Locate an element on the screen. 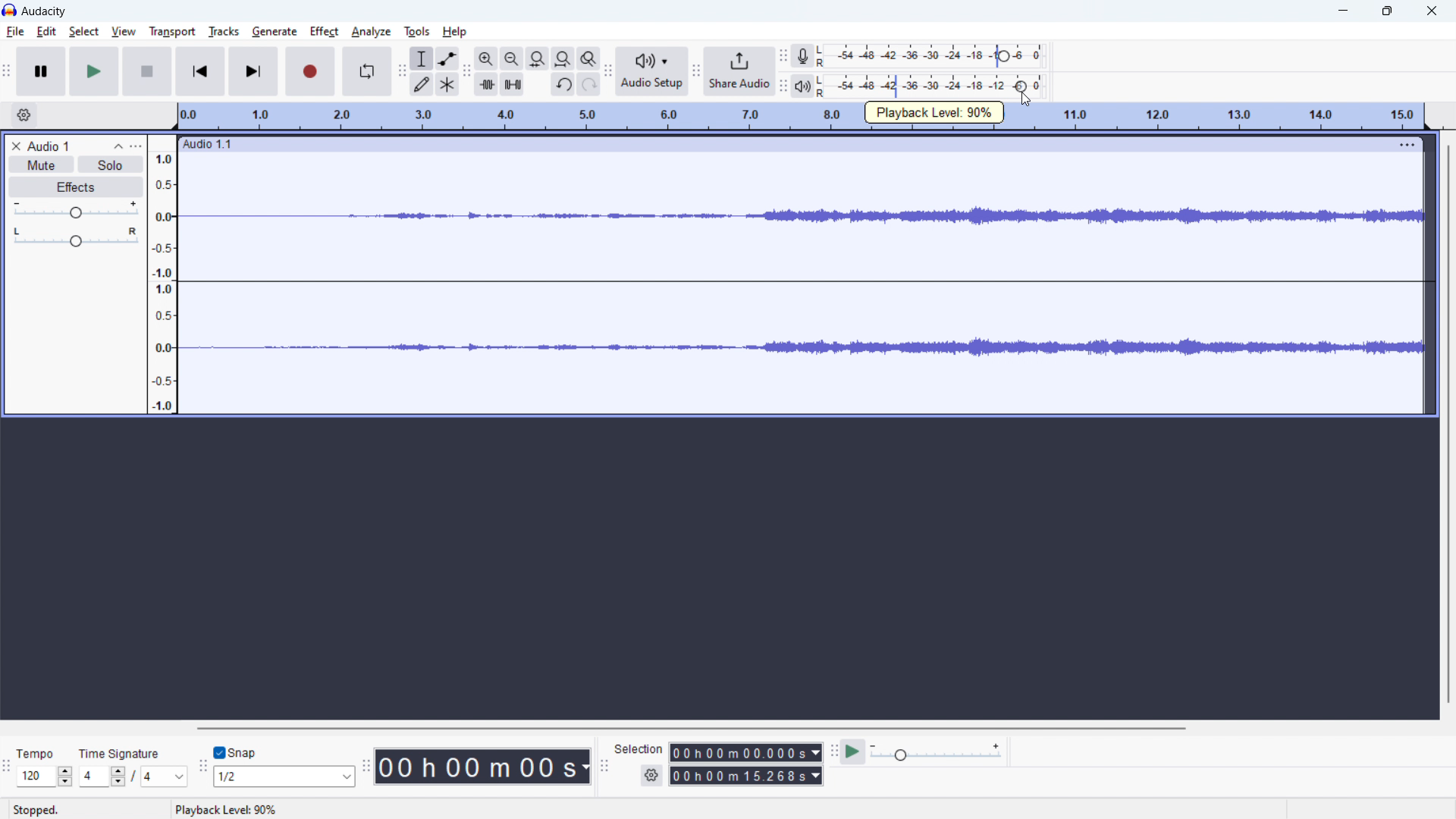 This screenshot has width=1456, height=819. play is located at coordinates (93, 71).